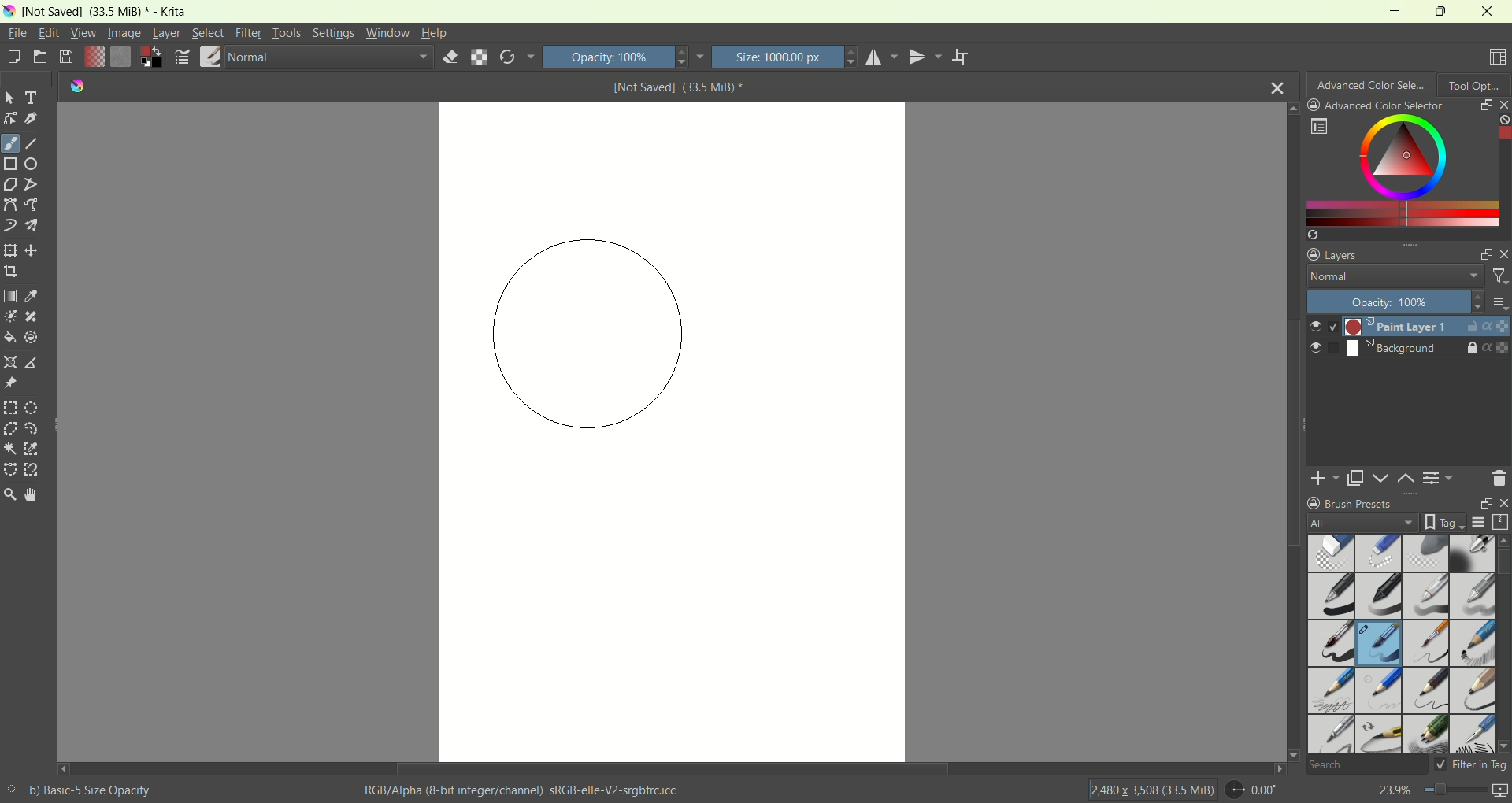 The width and height of the screenshot is (1512, 803). I want to click on reference images, so click(9, 383).